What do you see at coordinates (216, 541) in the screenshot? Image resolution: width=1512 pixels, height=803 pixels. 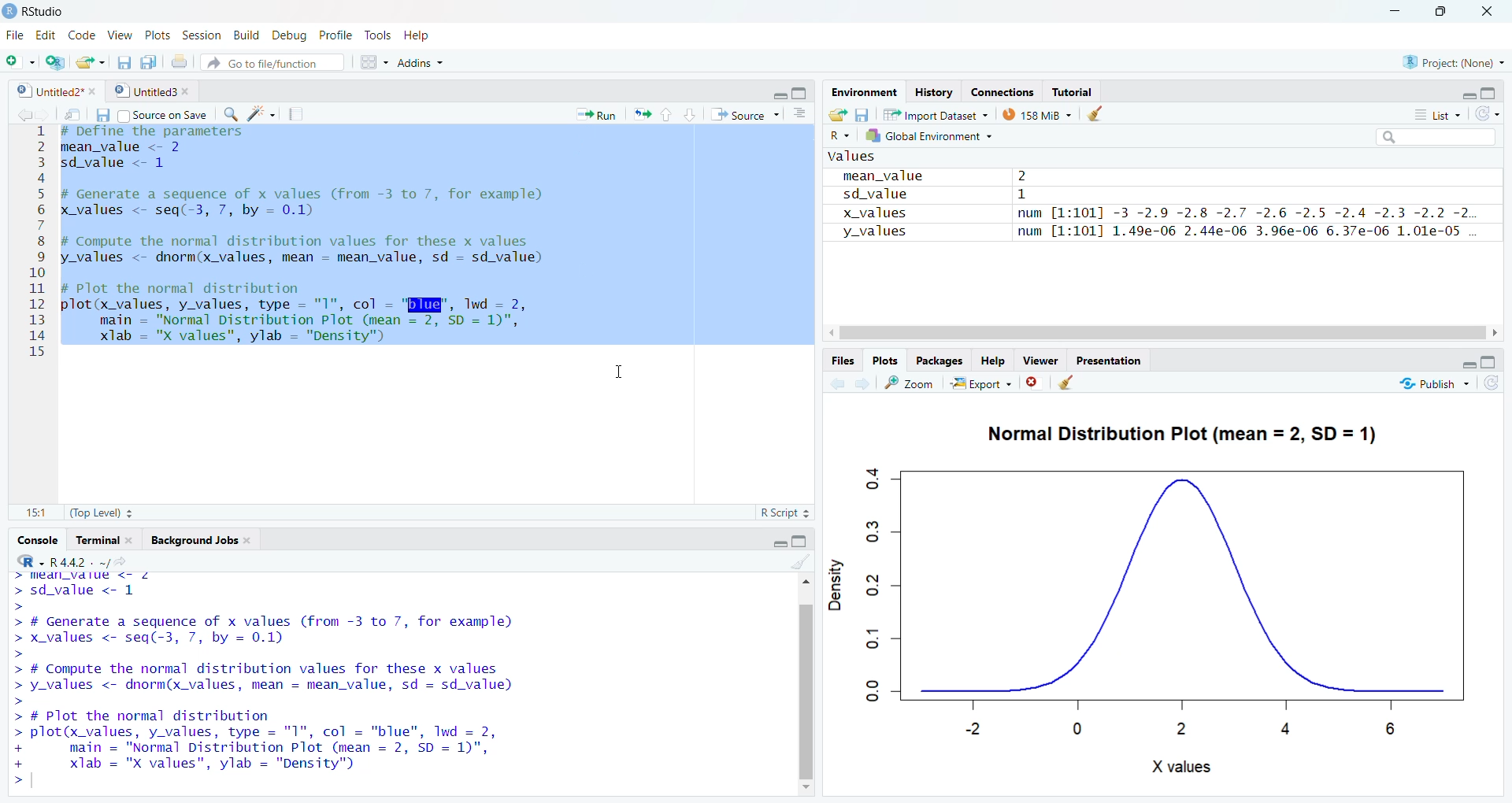 I see `Background Jobs` at bounding box center [216, 541].